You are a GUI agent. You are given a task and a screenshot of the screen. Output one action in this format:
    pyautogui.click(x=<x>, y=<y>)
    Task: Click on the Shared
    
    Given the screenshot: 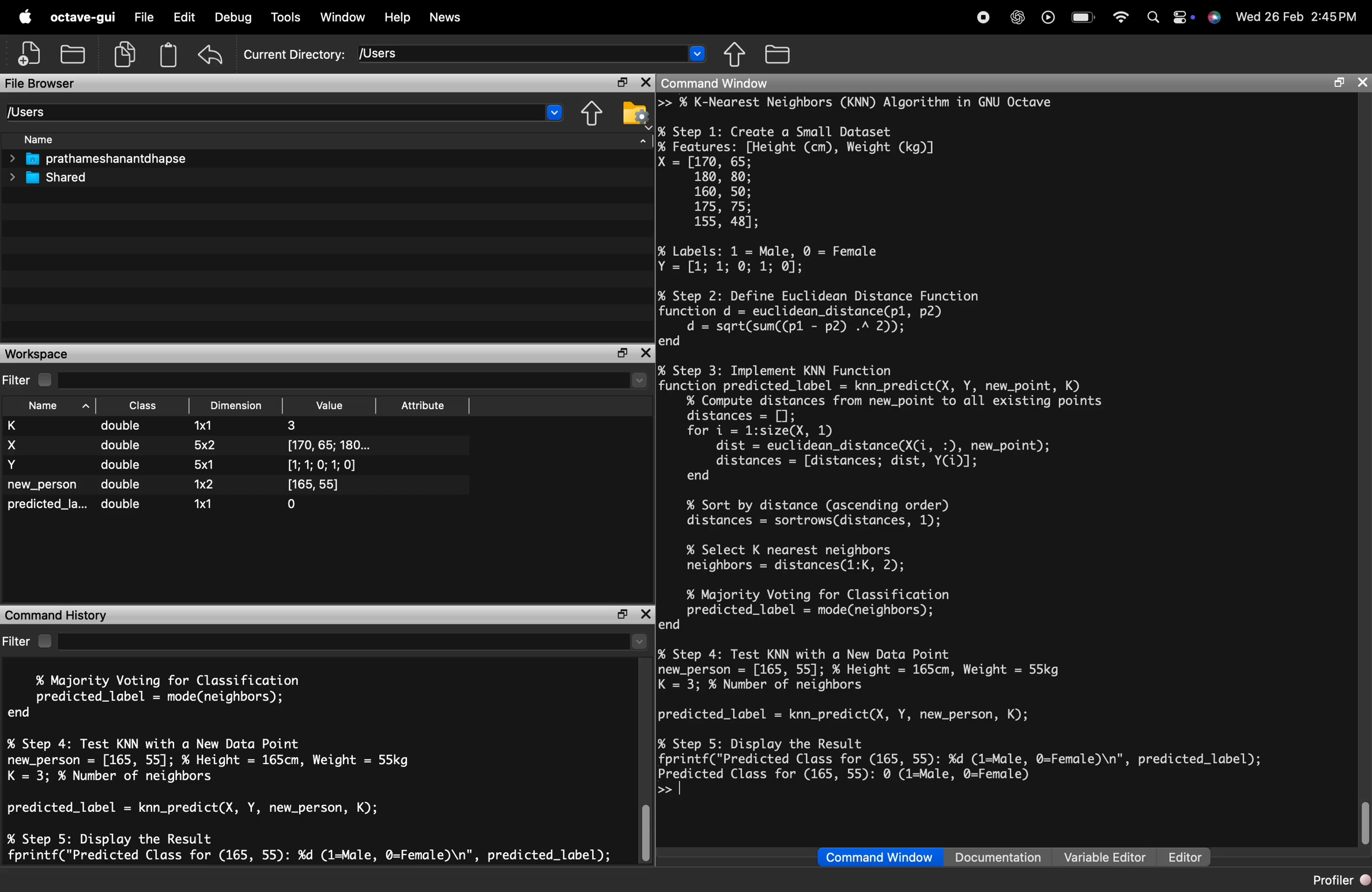 What is the action you would take?
    pyautogui.click(x=59, y=179)
    